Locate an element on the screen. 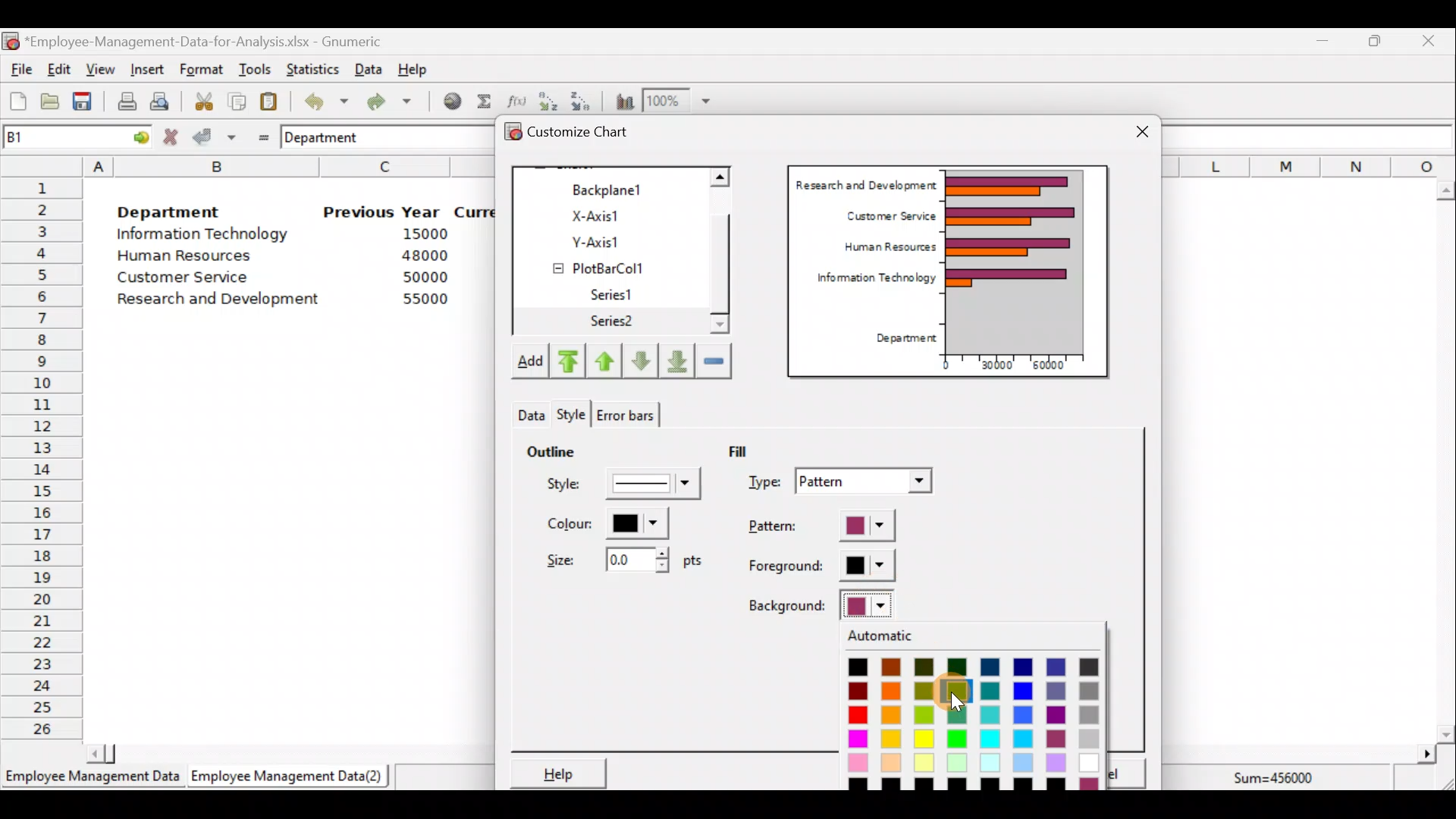 This screenshot has width=1456, height=819. Formula bar is located at coordinates (1312, 136).